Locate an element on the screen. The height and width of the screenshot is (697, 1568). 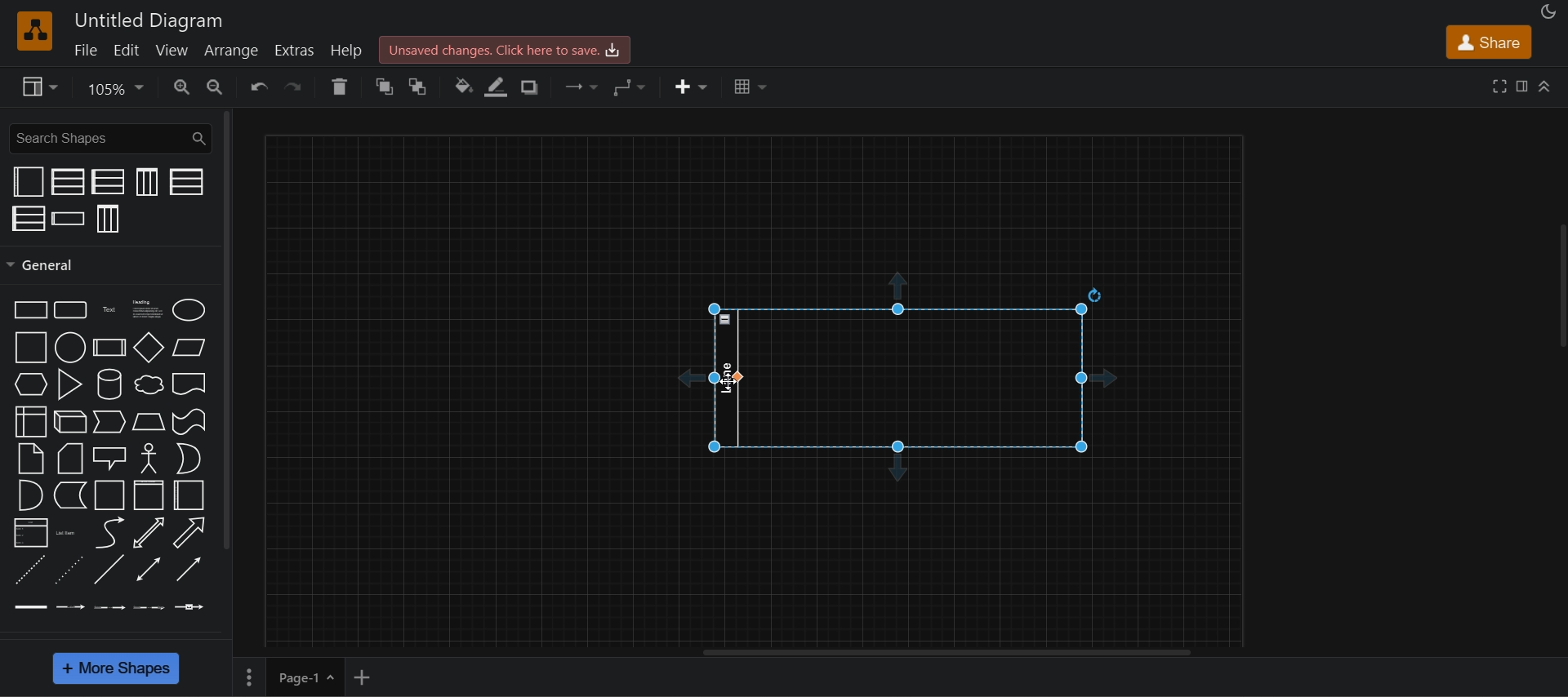
delete is located at coordinates (341, 87).